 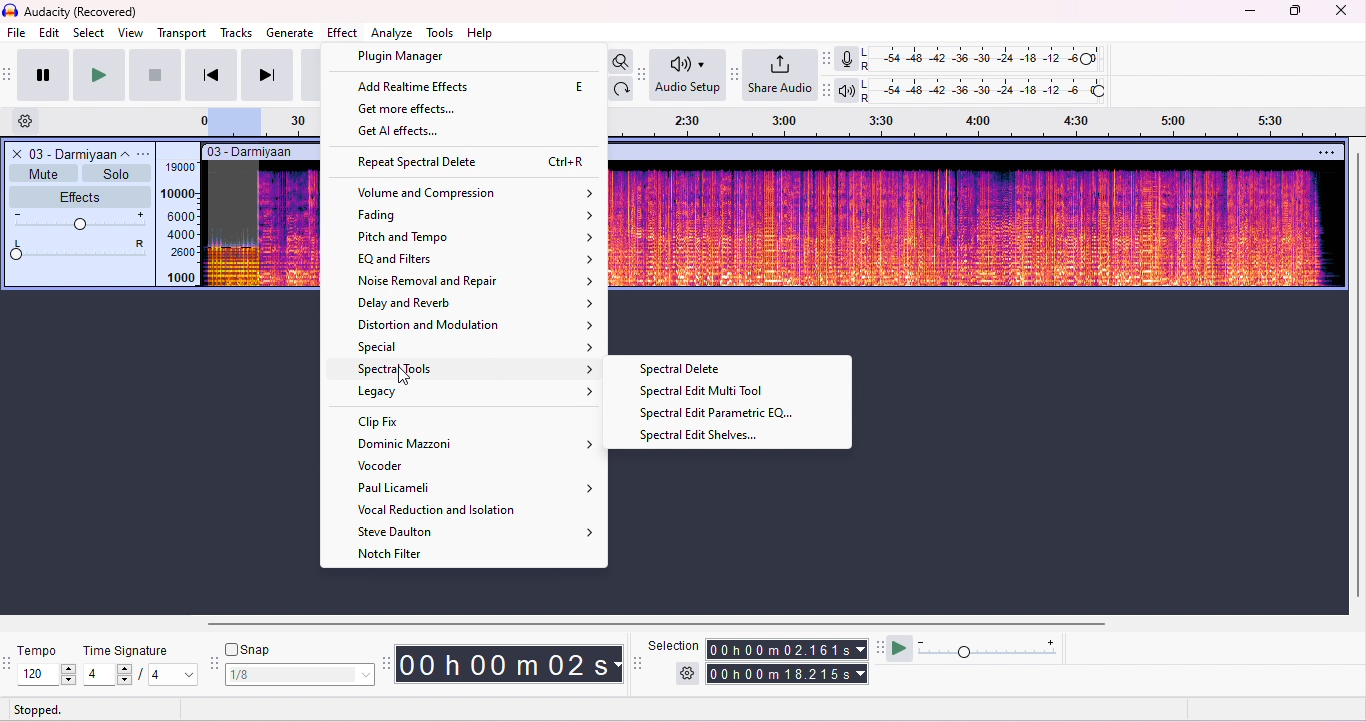 What do you see at coordinates (1340, 12) in the screenshot?
I see `close` at bounding box center [1340, 12].